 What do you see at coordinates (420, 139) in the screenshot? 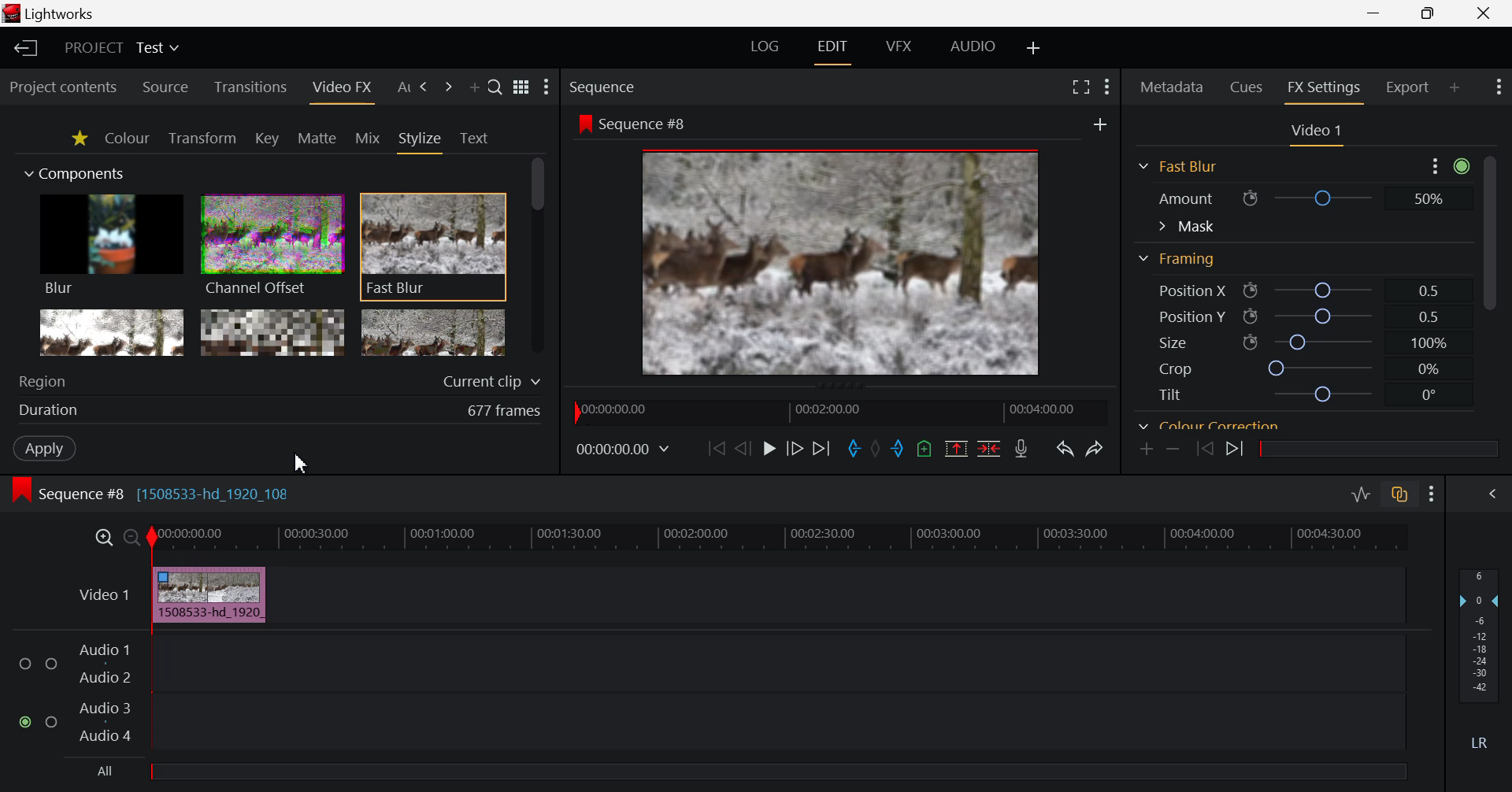
I see `Stylize Tab Open` at bounding box center [420, 139].